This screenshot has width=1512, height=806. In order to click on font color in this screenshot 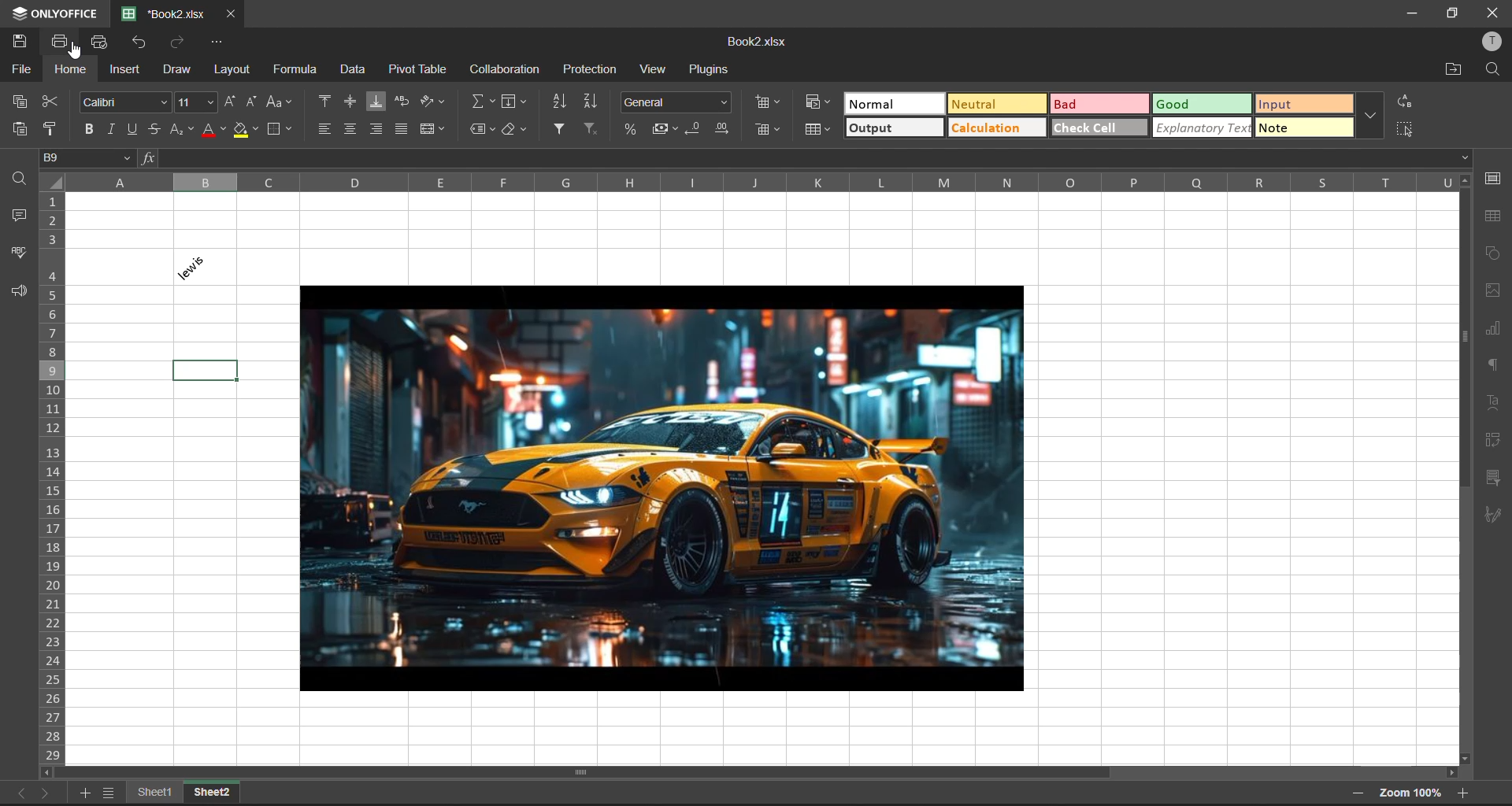, I will do `click(215, 130)`.